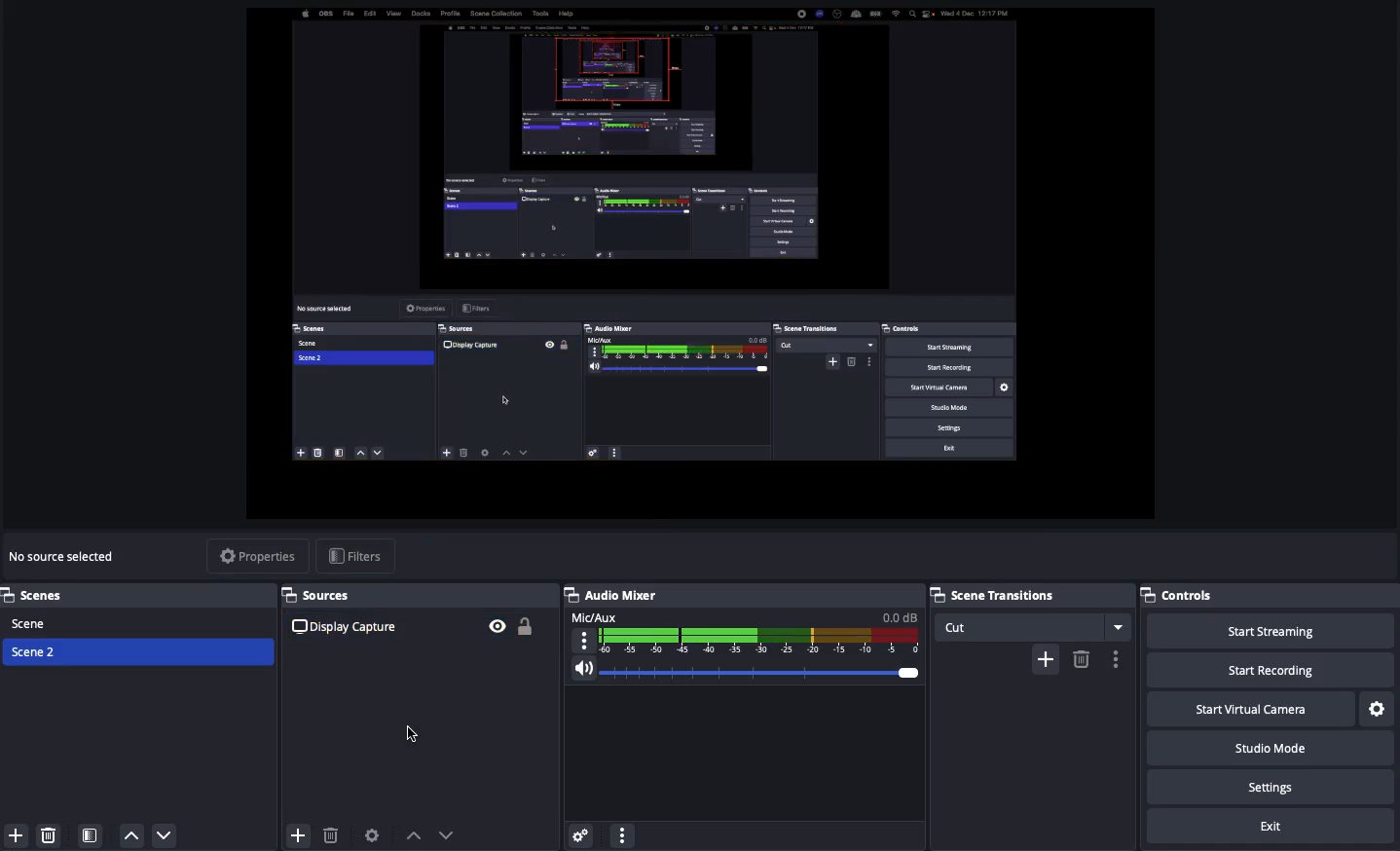  What do you see at coordinates (1267, 747) in the screenshot?
I see `Studio mode` at bounding box center [1267, 747].